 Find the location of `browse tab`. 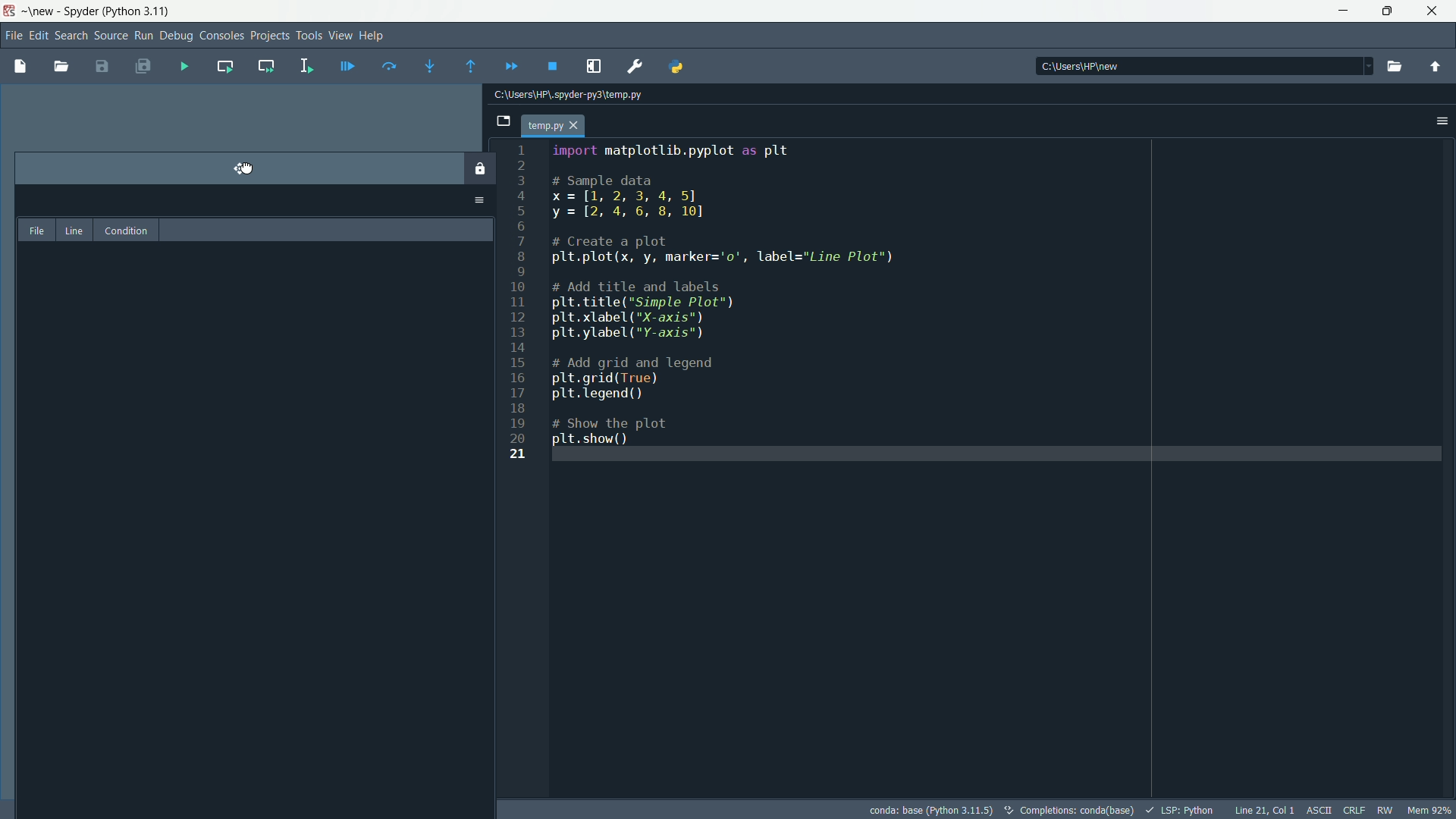

browse tab is located at coordinates (499, 123).